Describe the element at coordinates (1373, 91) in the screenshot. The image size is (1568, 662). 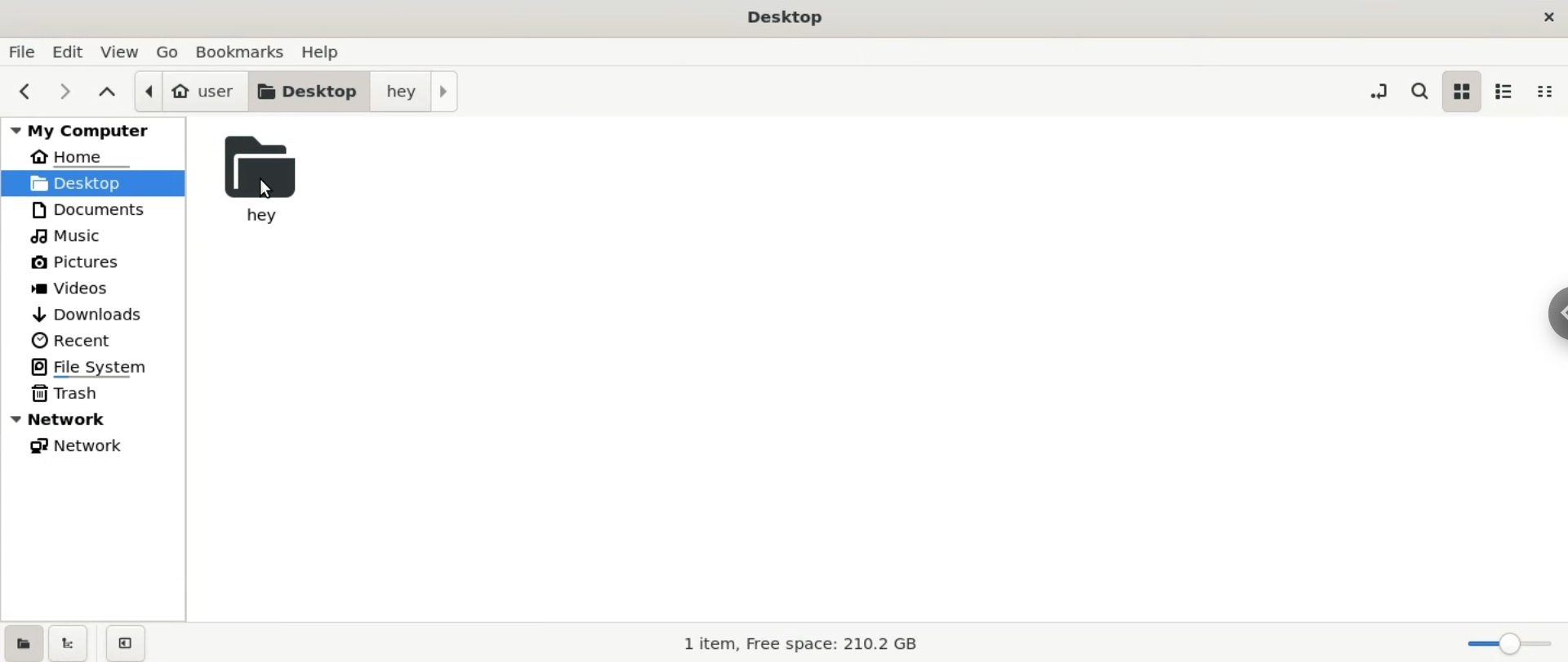
I see `toggle location entry` at that location.